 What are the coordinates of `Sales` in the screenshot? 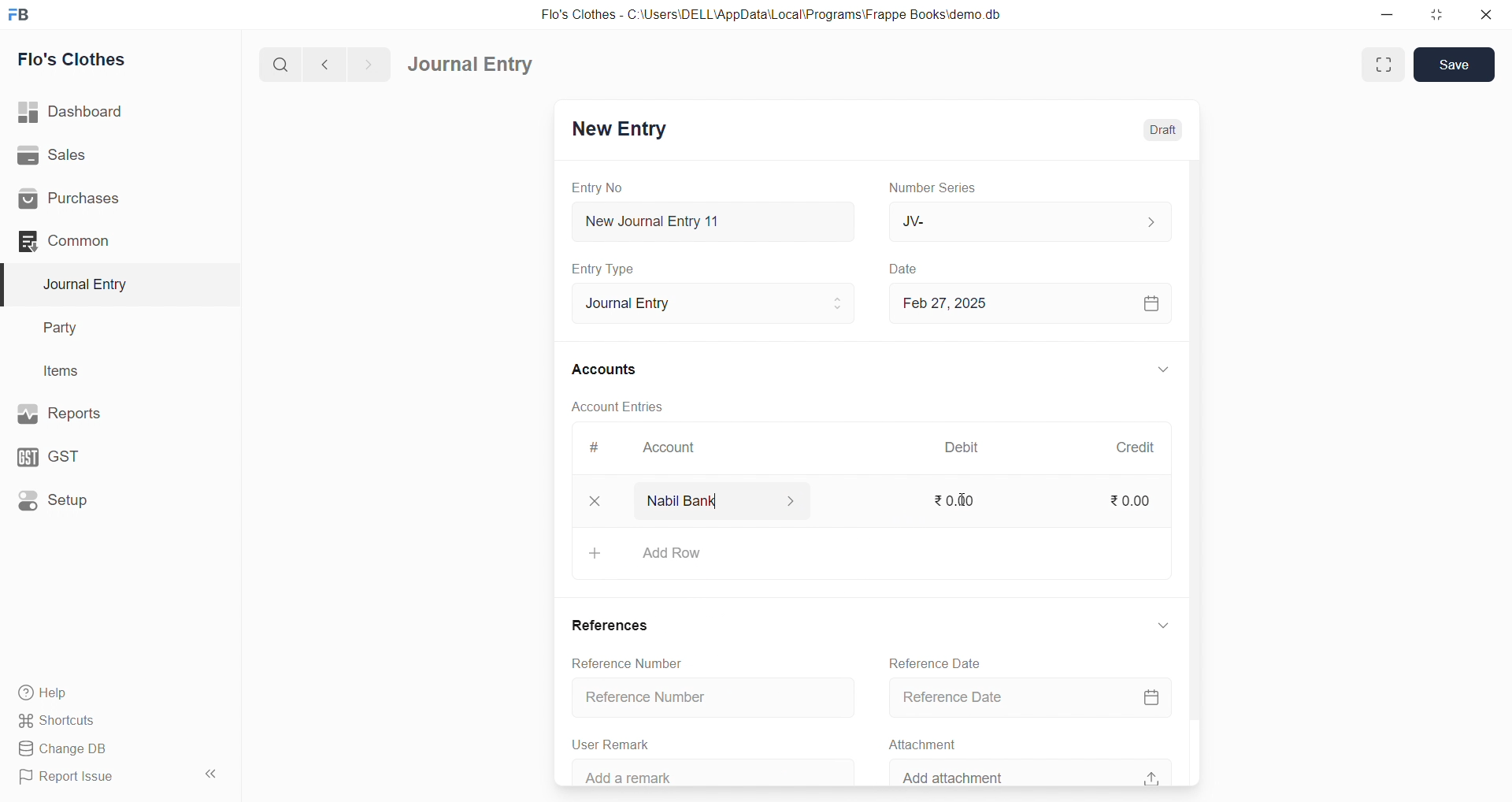 It's located at (94, 154).